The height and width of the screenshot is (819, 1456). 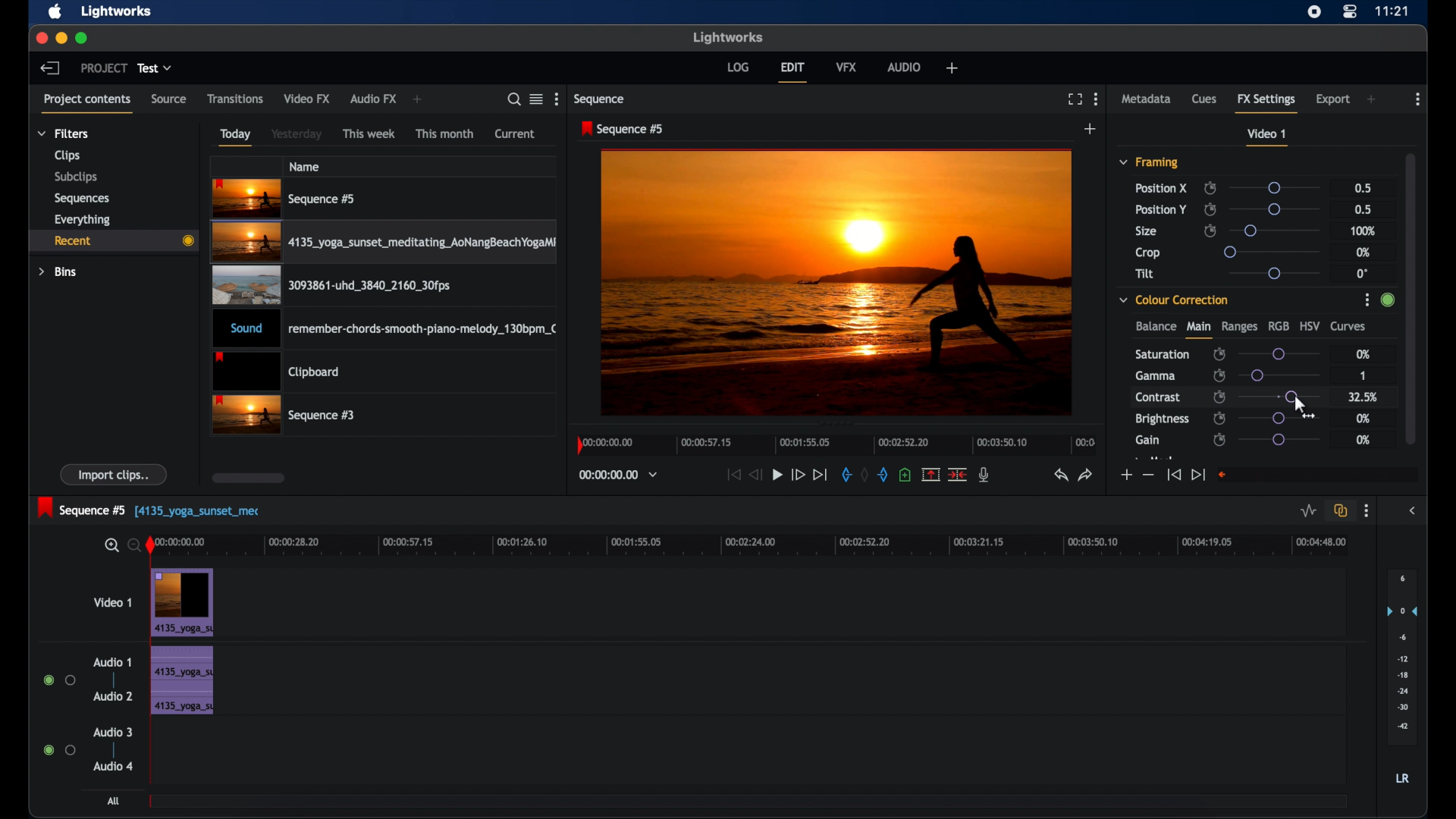 What do you see at coordinates (1418, 99) in the screenshot?
I see `more options` at bounding box center [1418, 99].